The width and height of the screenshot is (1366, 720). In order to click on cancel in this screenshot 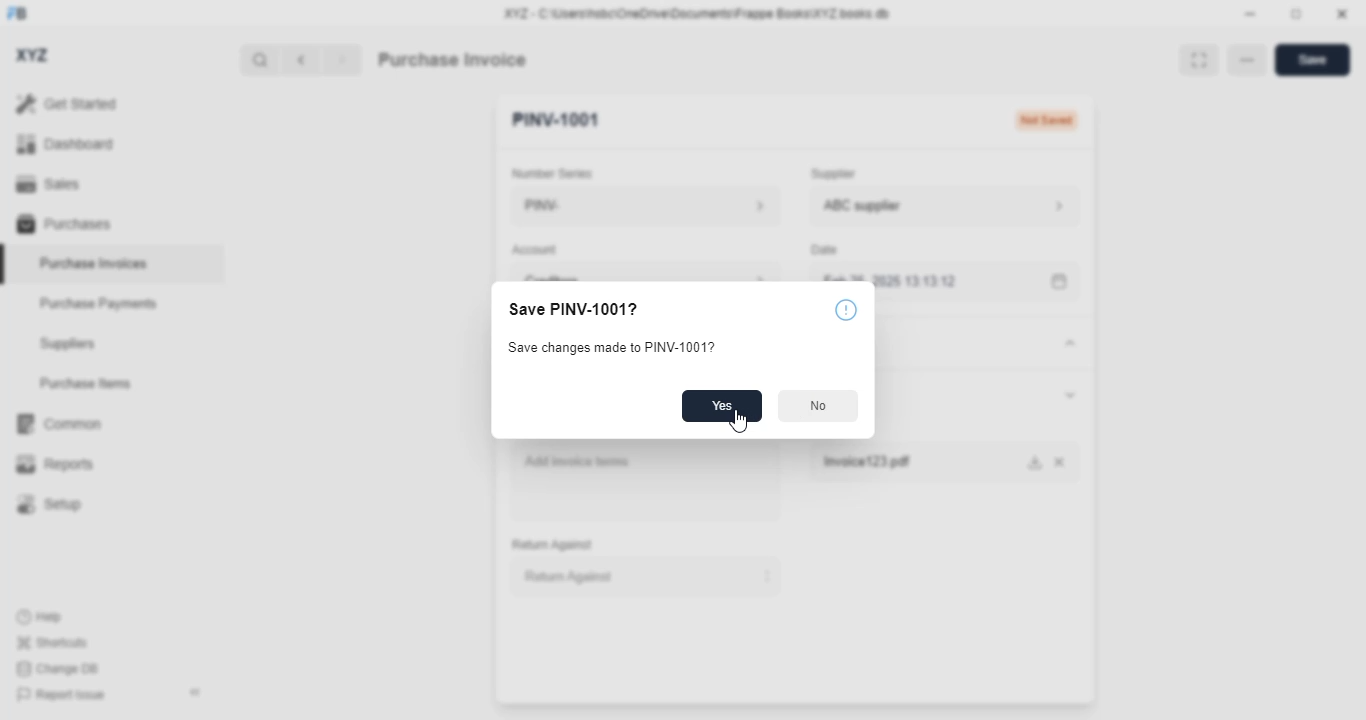, I will do `click(1061, 462)`.